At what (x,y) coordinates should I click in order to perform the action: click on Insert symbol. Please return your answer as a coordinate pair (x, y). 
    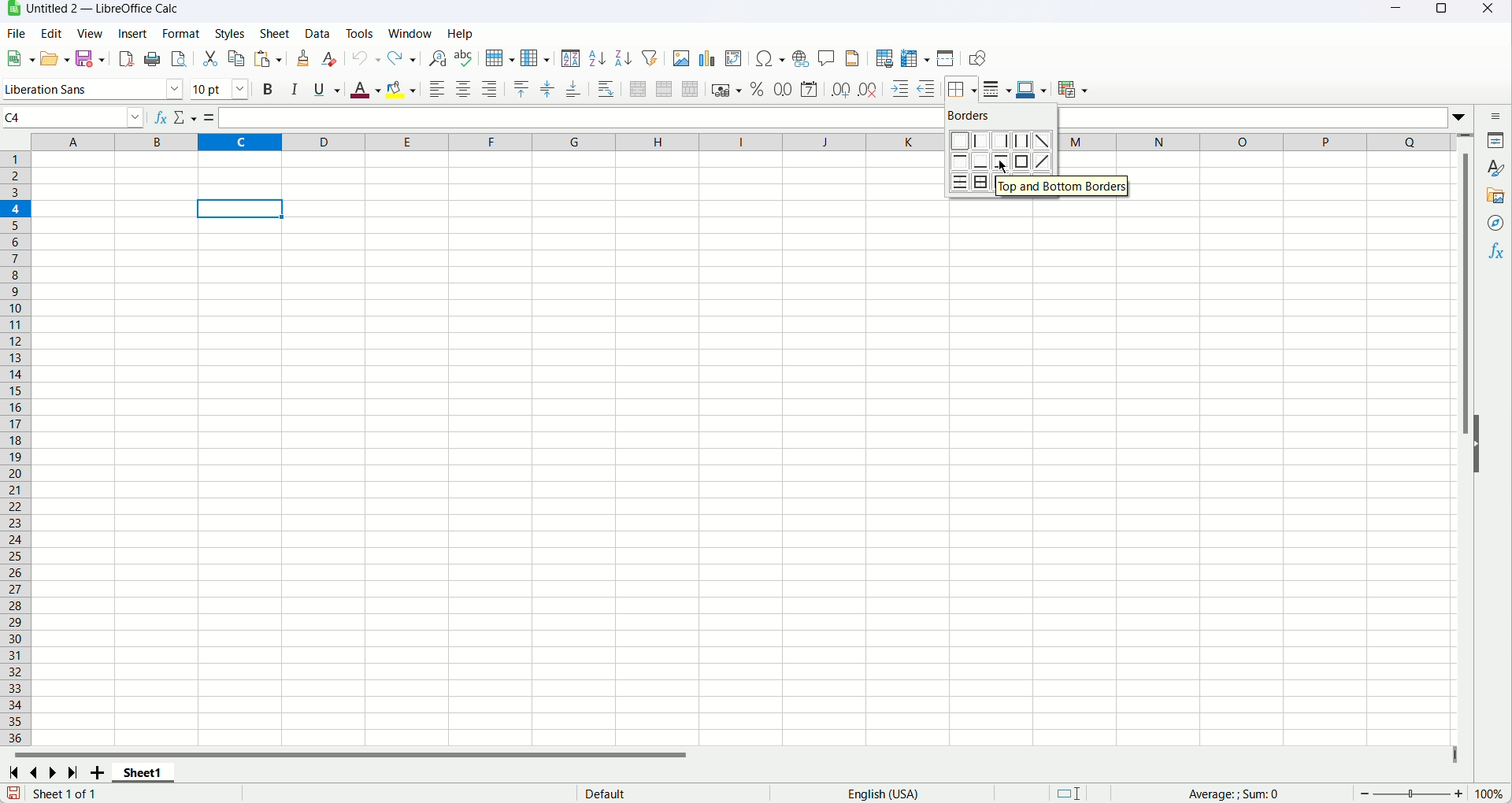
    Looking at the image, I should click on (772, 57).